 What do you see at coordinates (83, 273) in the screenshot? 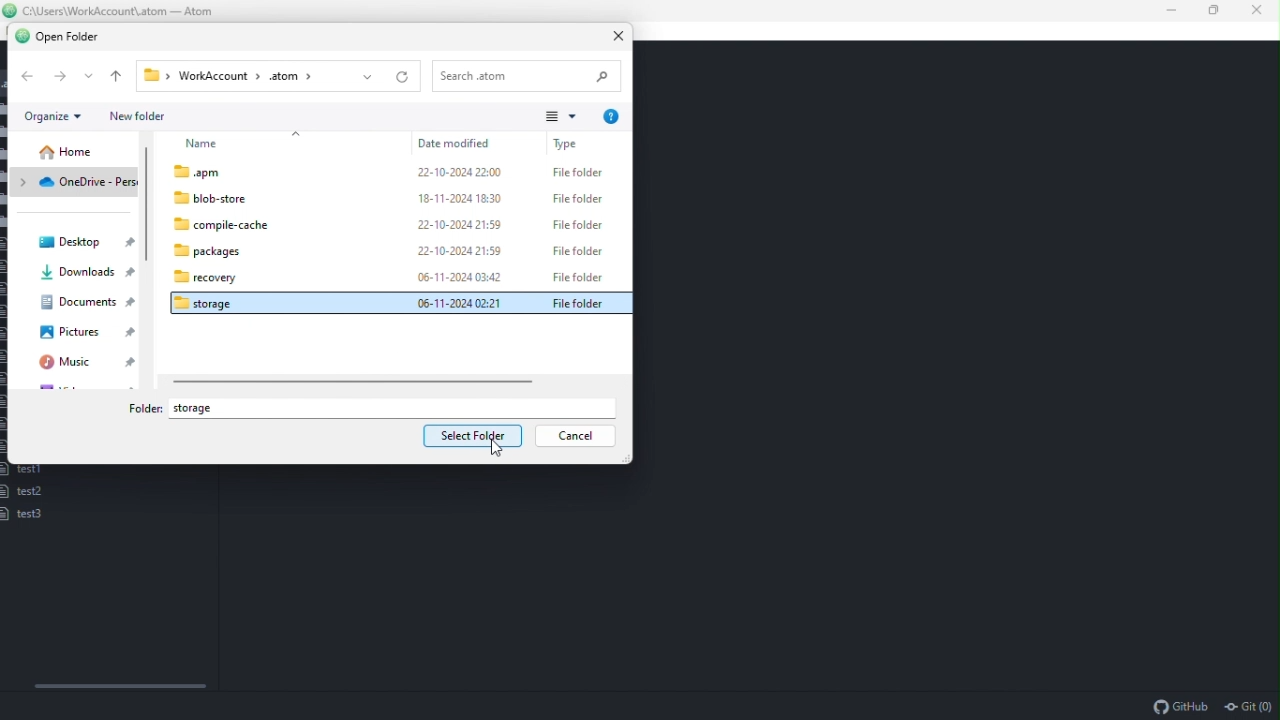
I see `Downloads` at bounding box center [83, 273].